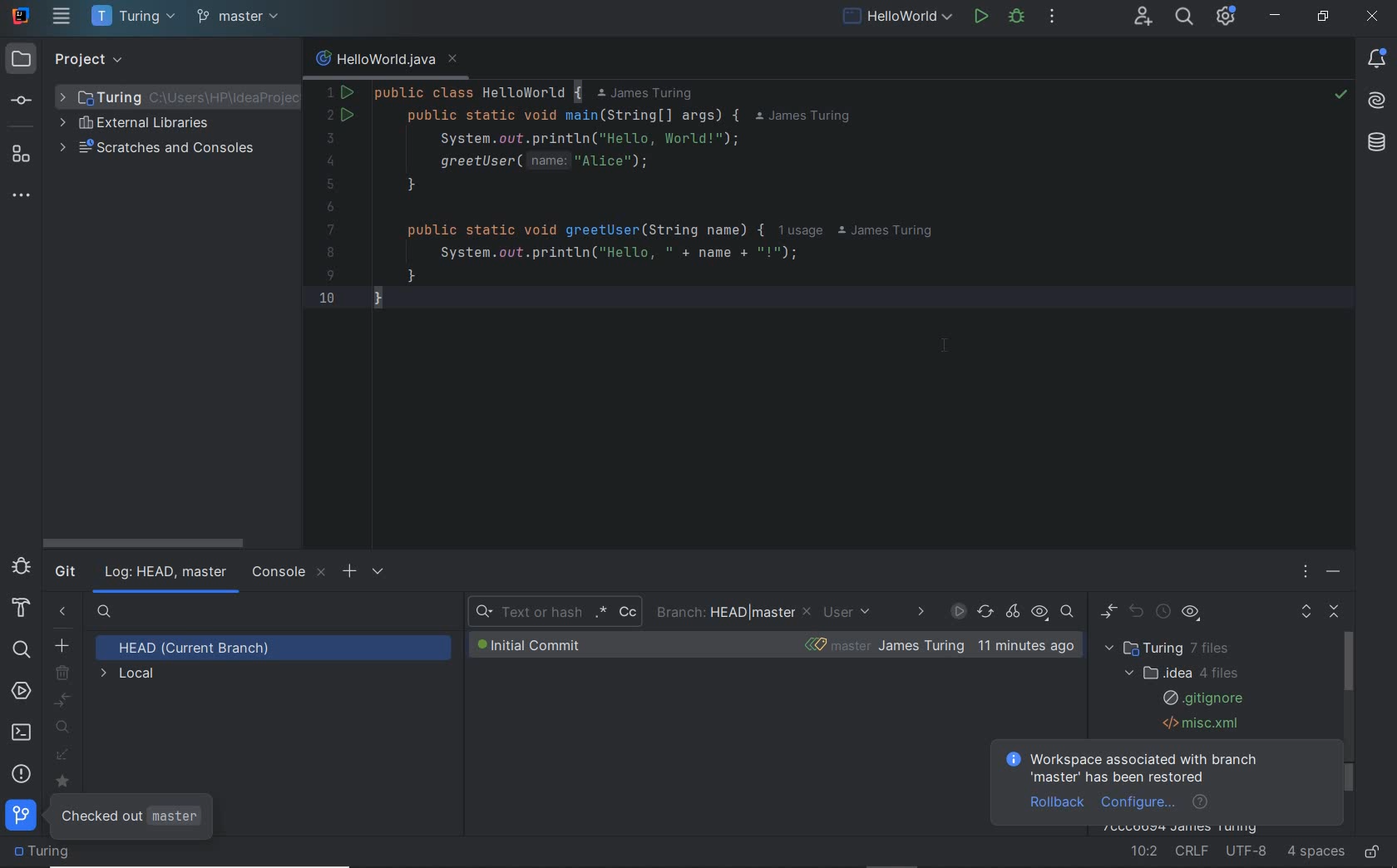  Describe the element at coordinates (1108, 612) in the screenshot. I see `show diff` at that location.